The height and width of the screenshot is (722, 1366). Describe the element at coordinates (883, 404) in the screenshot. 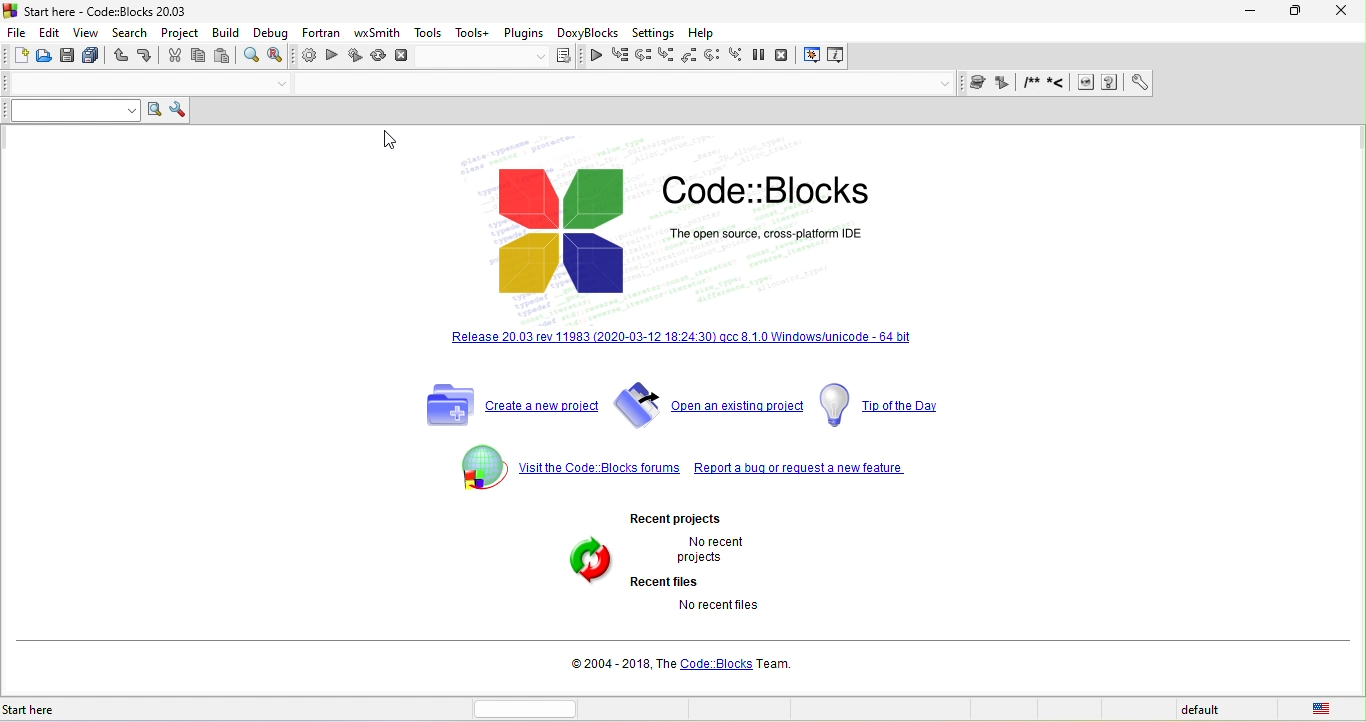

I see `tip of the day` at that location.